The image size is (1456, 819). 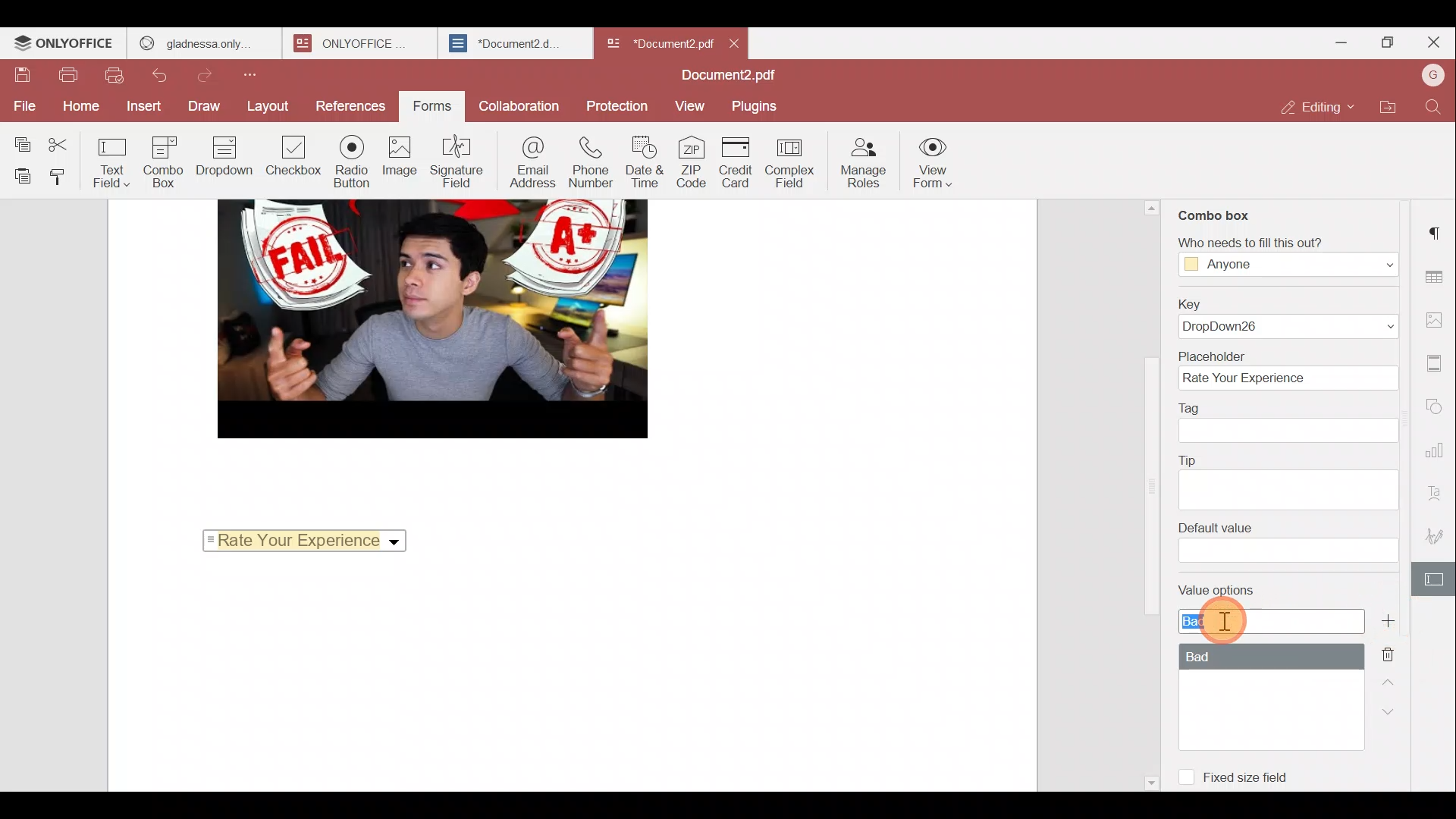 What do you see at coordinates (1286, 369) in the screenshot?
I see `Placeholder` at bounding box center [1286, 369].